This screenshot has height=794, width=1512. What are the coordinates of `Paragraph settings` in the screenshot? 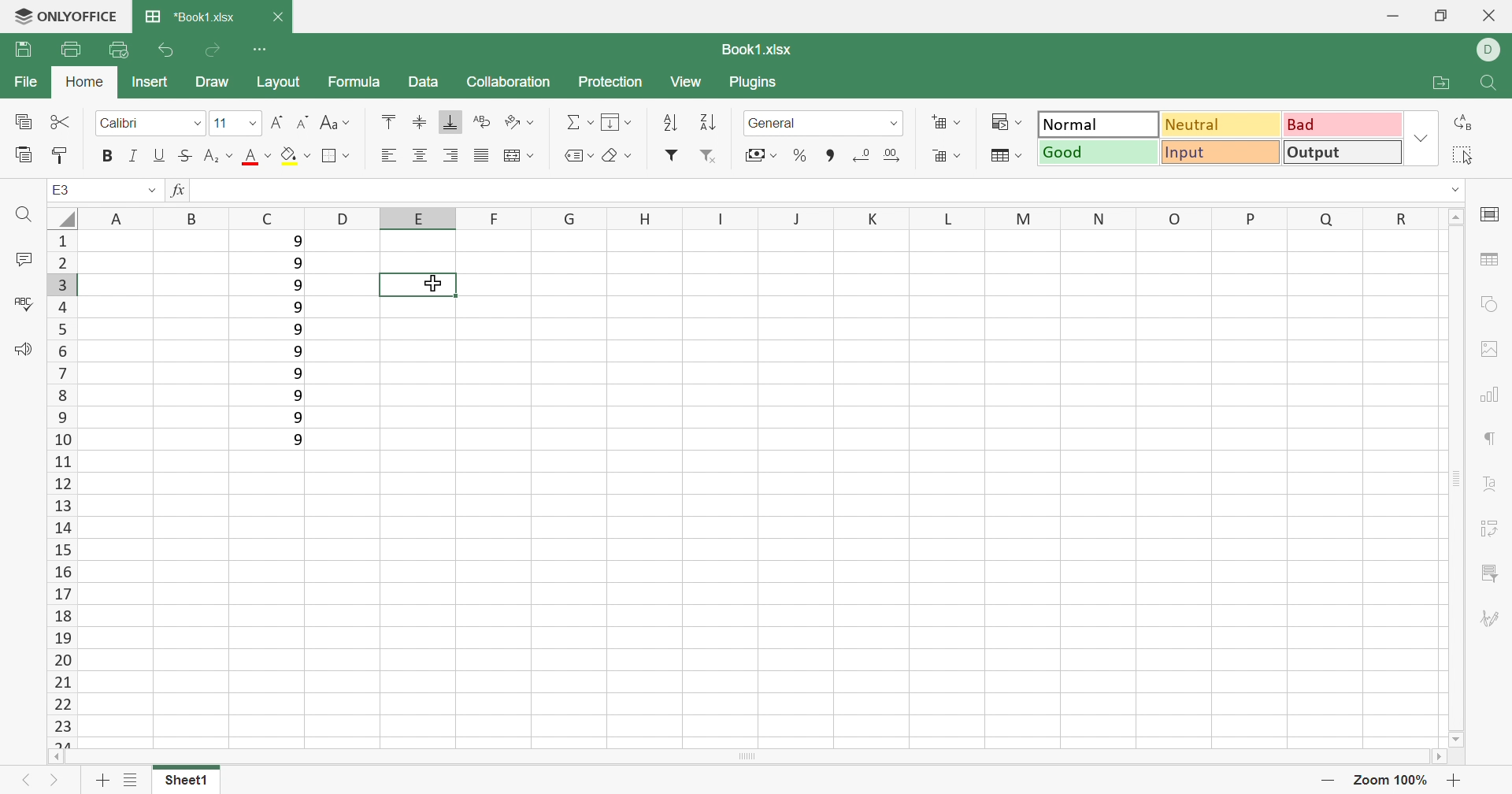 It's located at (1492, 441).